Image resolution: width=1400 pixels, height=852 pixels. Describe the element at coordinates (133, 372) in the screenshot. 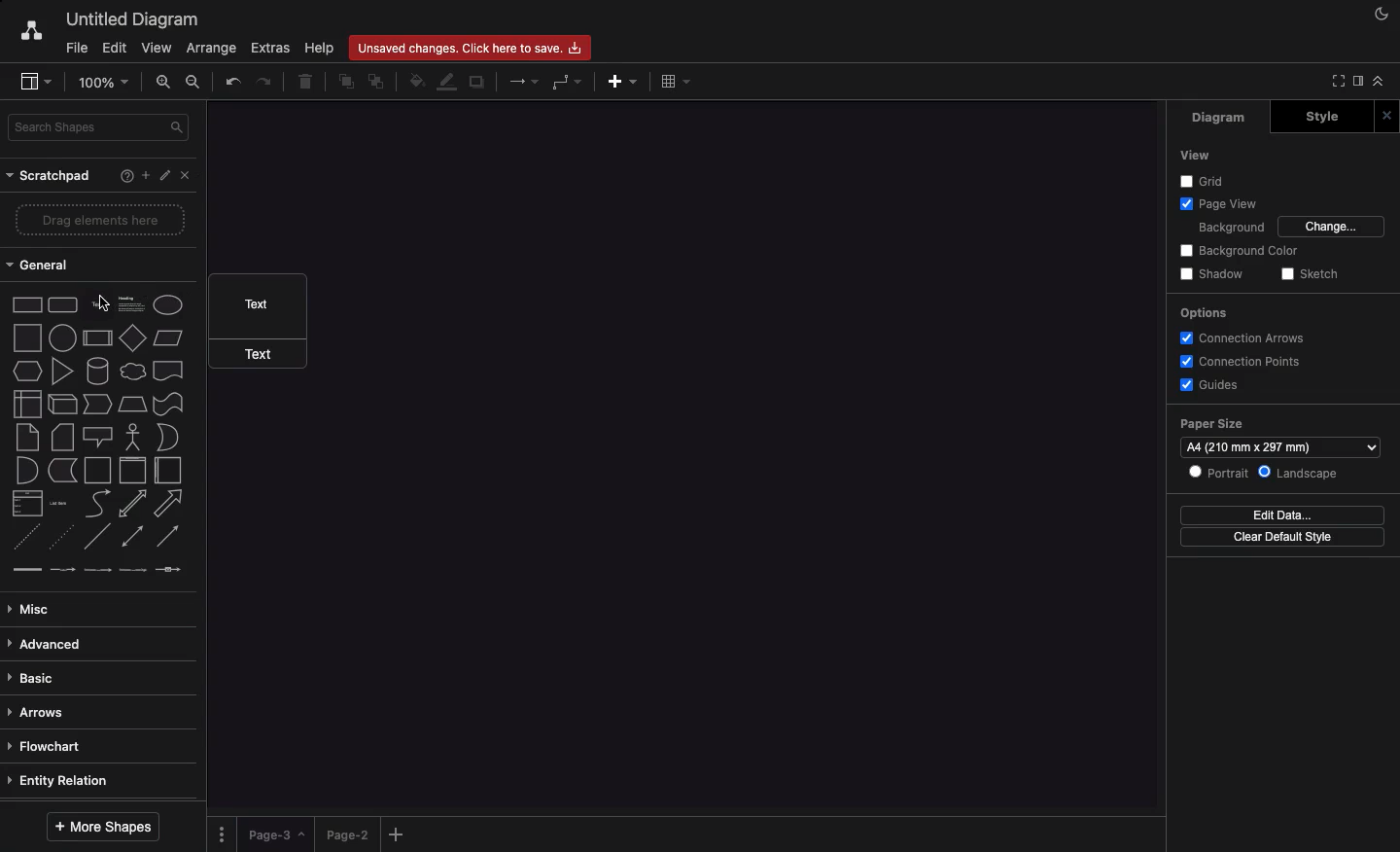

I see `cloud` at that location.